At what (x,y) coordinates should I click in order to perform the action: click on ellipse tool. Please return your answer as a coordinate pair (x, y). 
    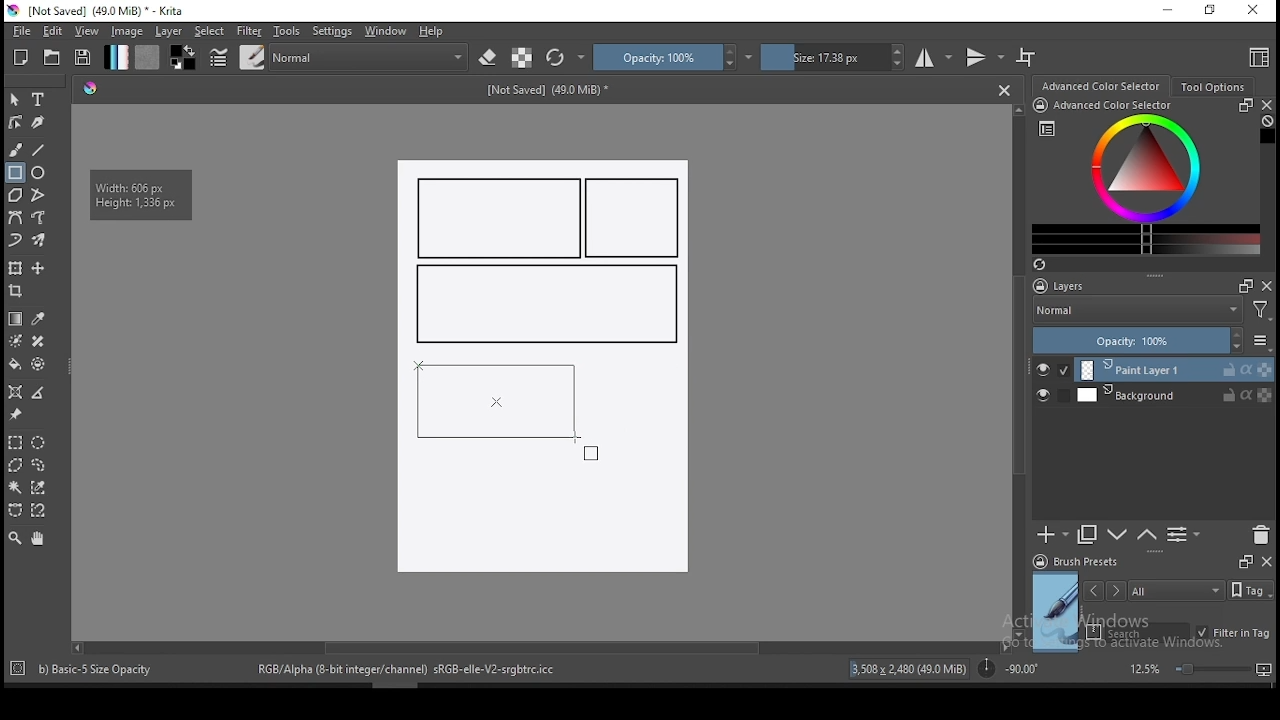
    Looking at the image, I should click on (39, 171).